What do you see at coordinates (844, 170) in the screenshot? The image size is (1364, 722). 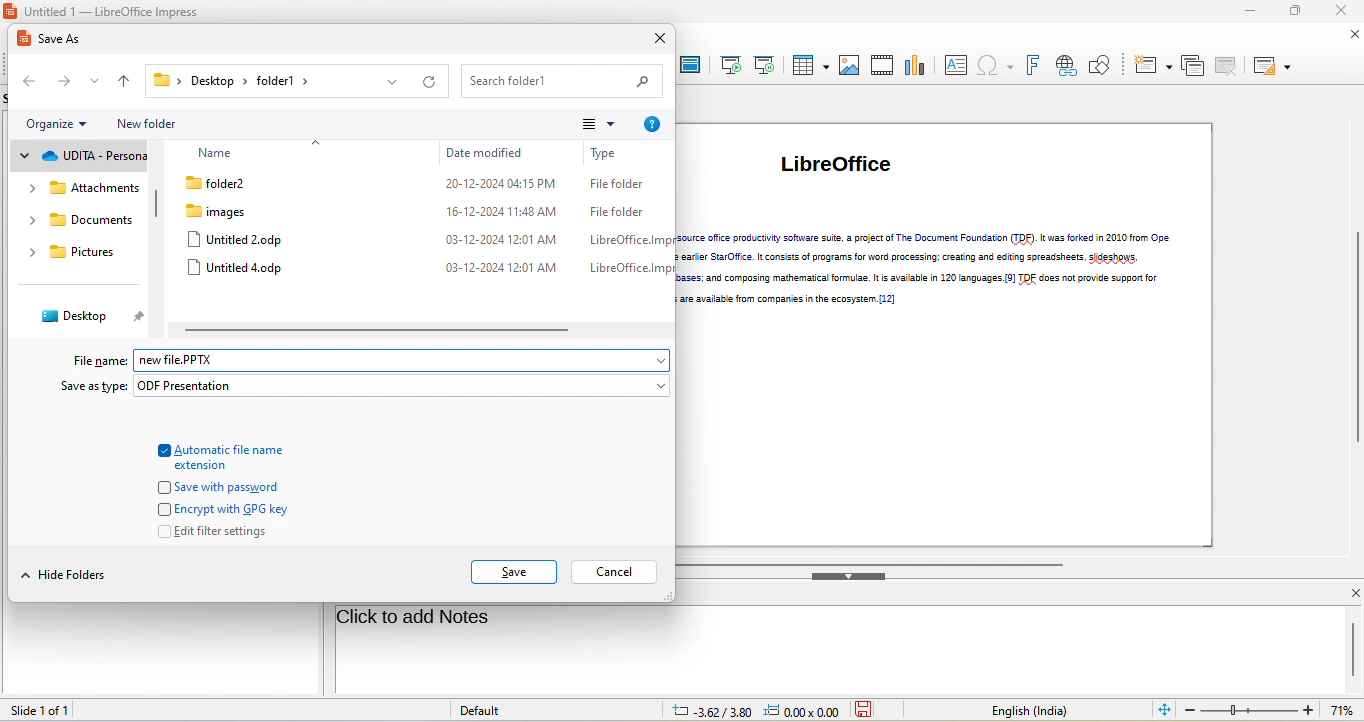 I see `libre office` at bounding box center [844, 170].